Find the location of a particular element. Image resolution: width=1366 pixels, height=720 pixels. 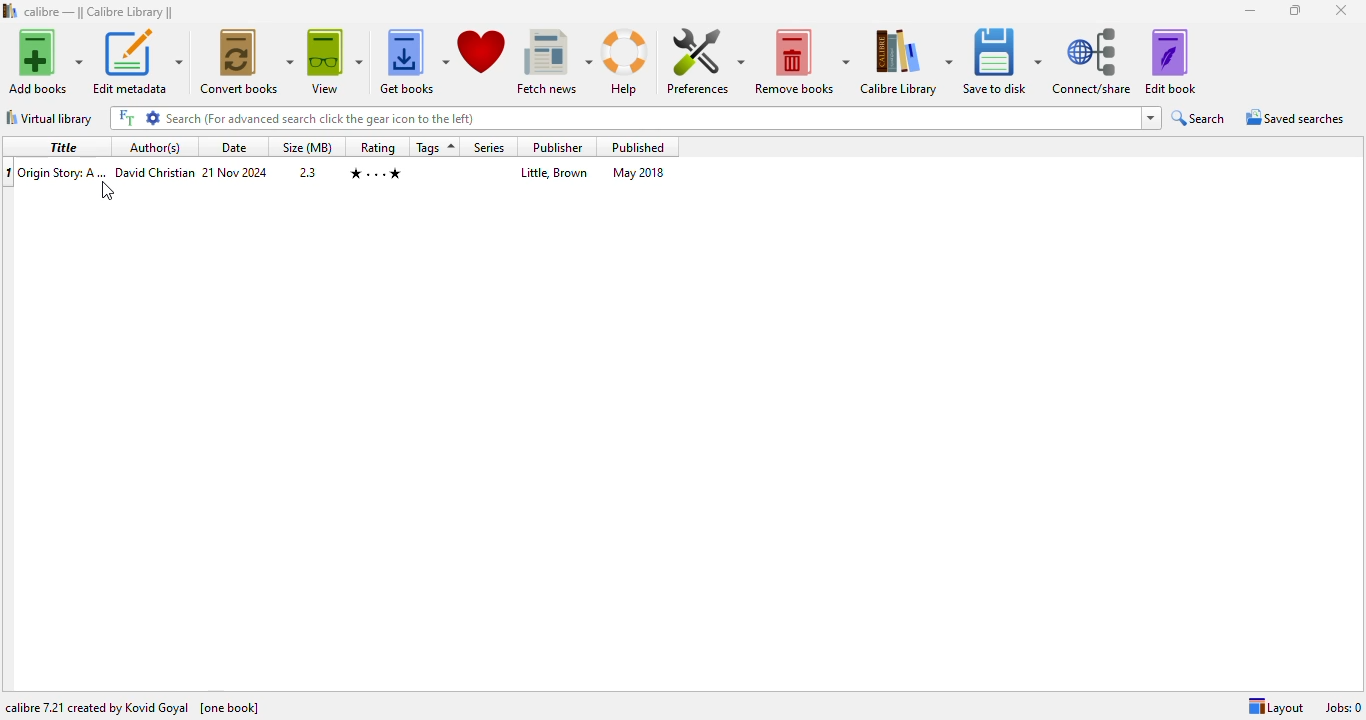

21 Nov 2024 is located at coordinates (235, 171).